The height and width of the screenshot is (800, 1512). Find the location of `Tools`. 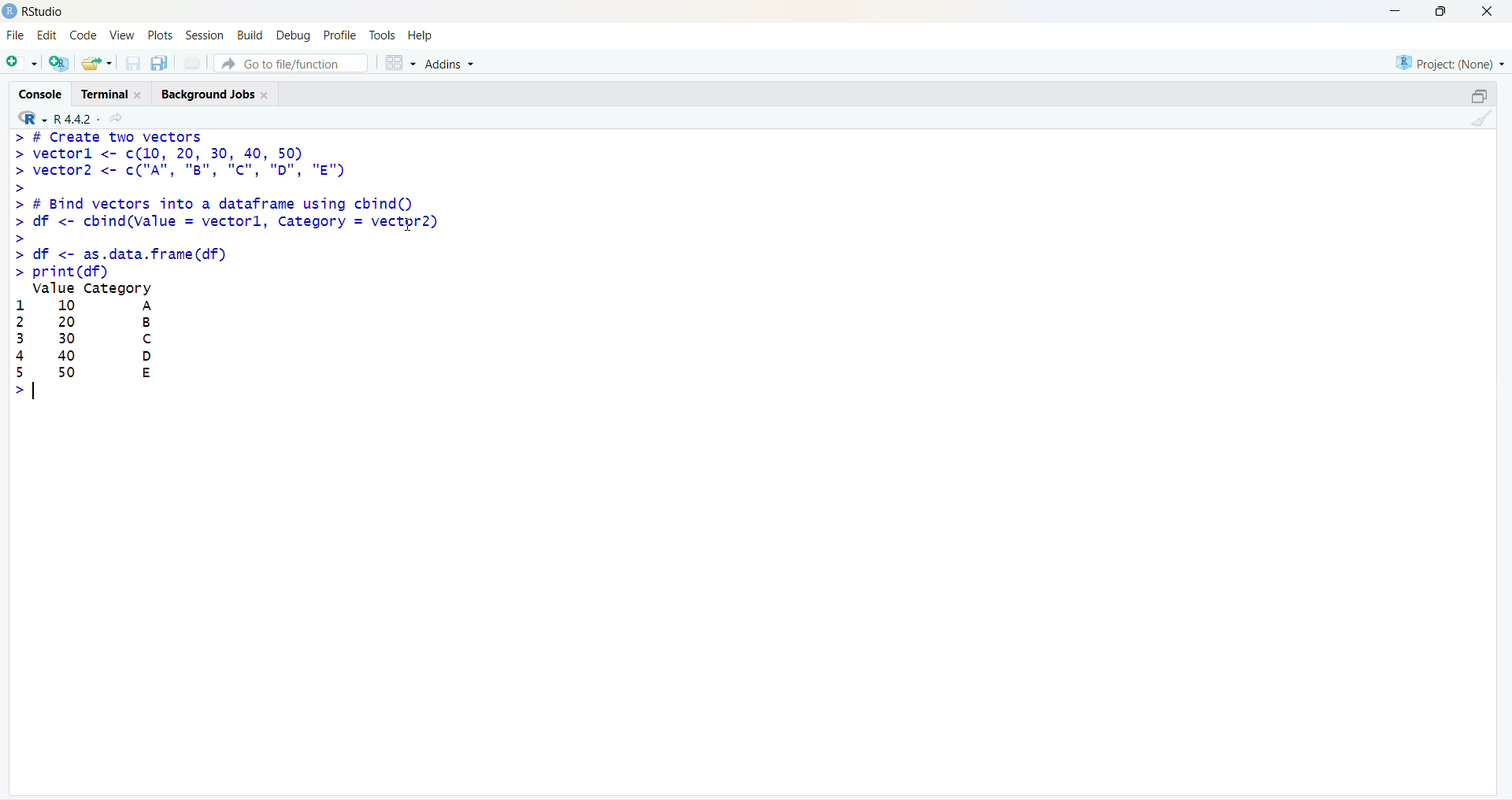

Tools is located at coordinates (383, 35).